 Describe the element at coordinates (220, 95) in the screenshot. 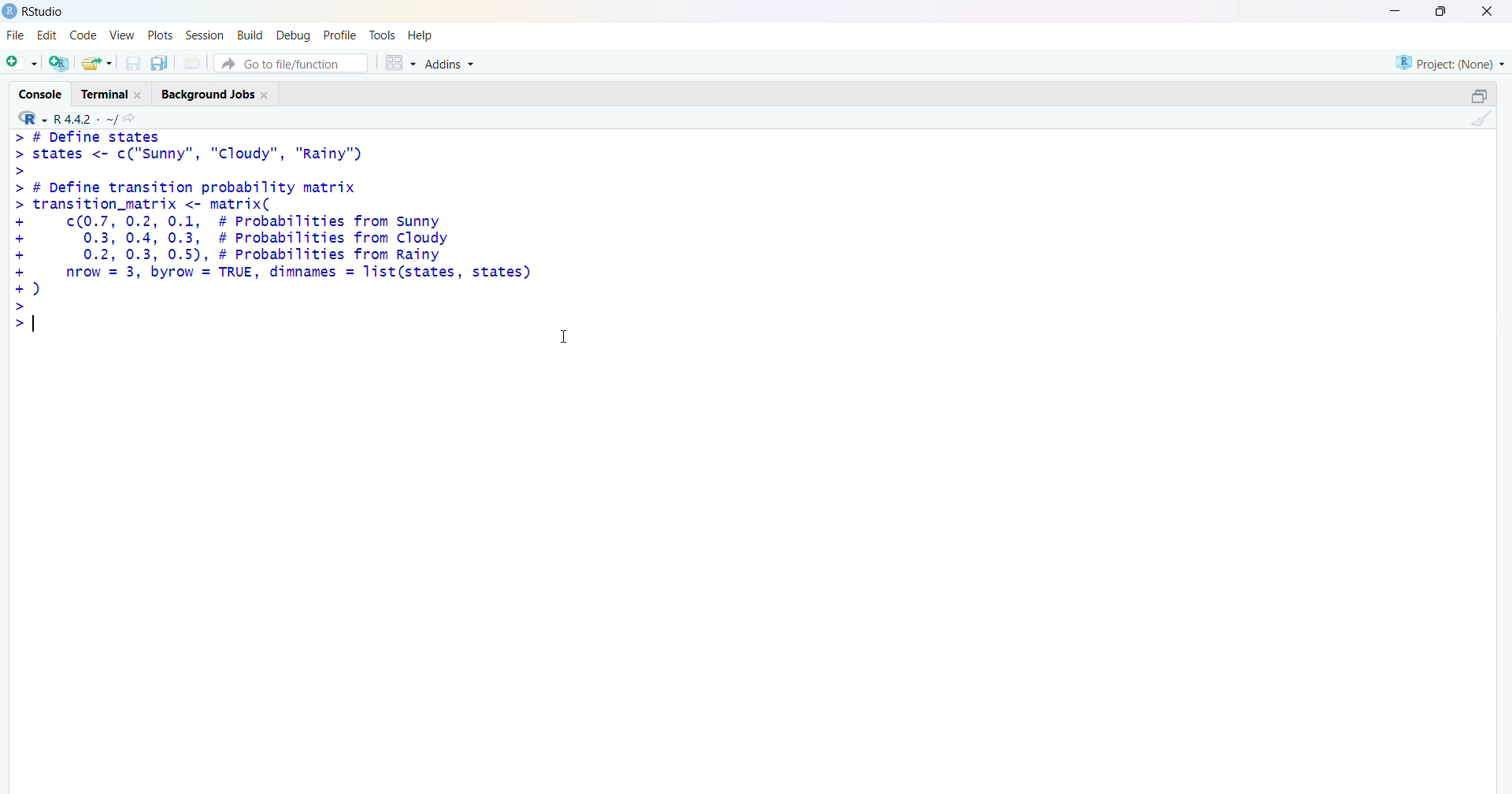

I see `background jobs` at that location.